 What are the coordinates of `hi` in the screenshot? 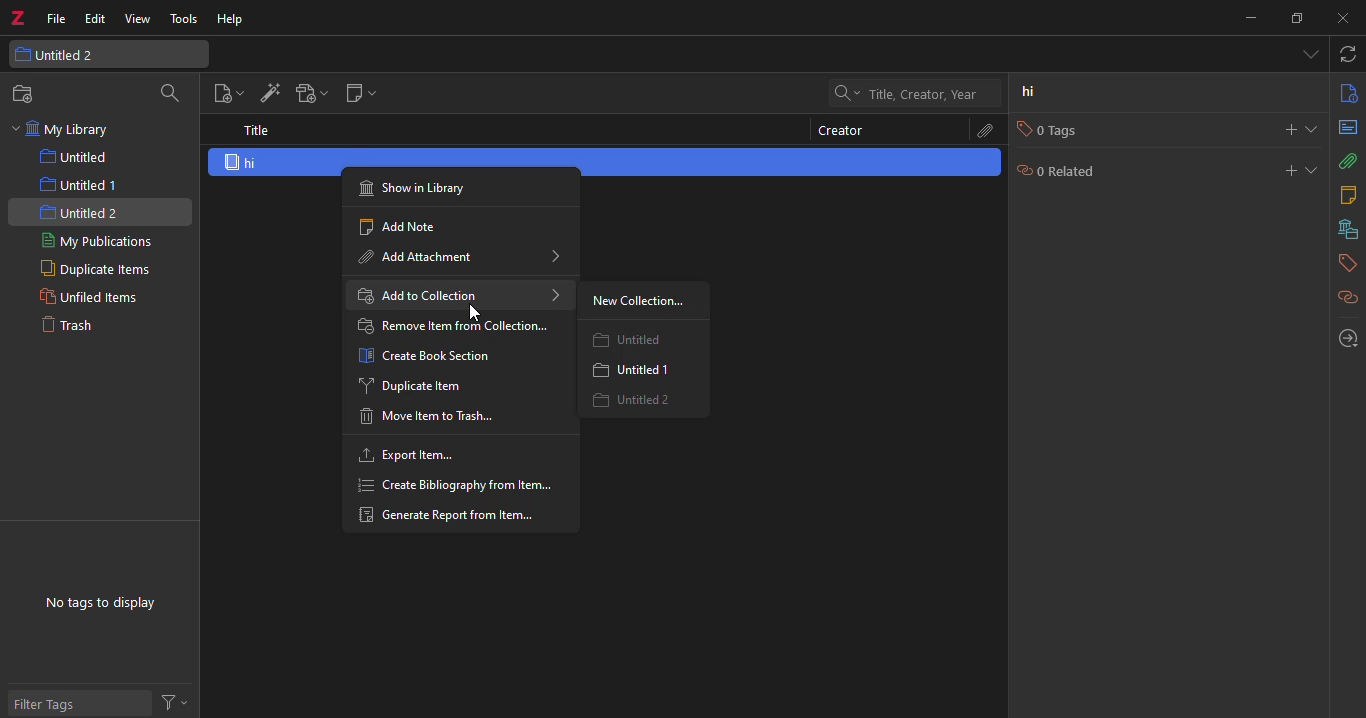 It's located at (250, 162).